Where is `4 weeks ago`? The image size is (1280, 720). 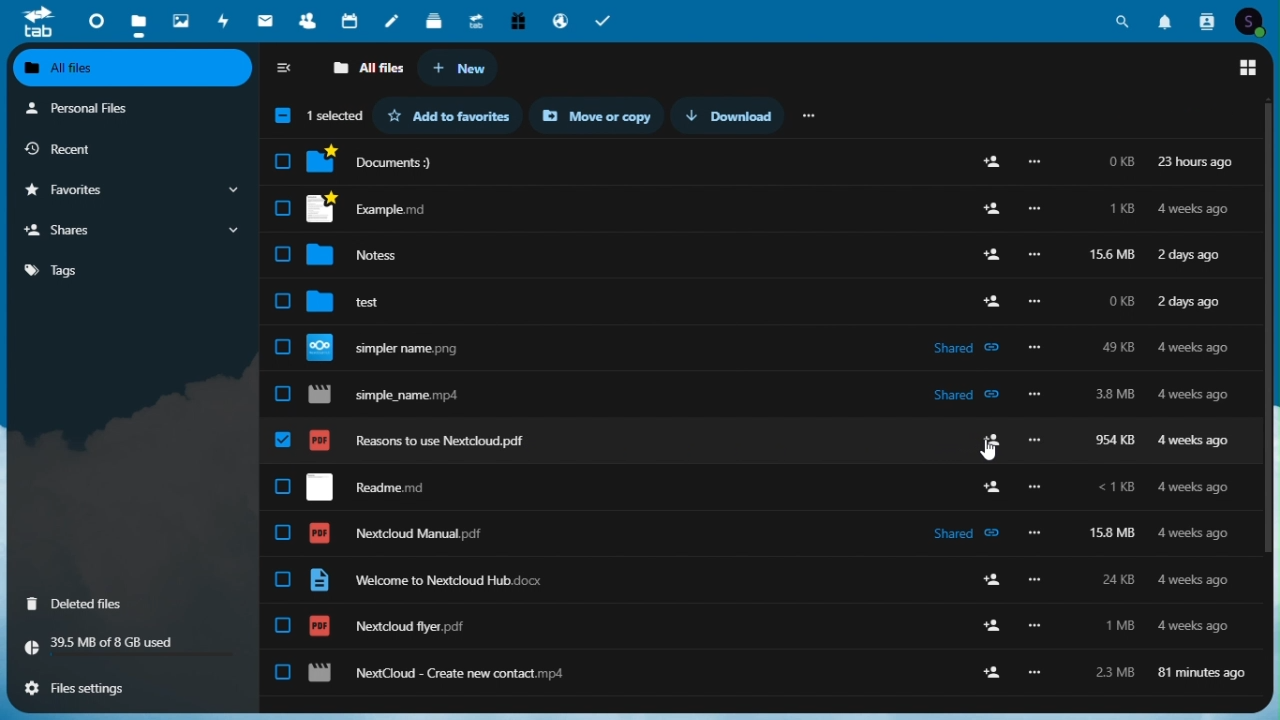
4 weeks ago is located at coordinates (1192, 534).